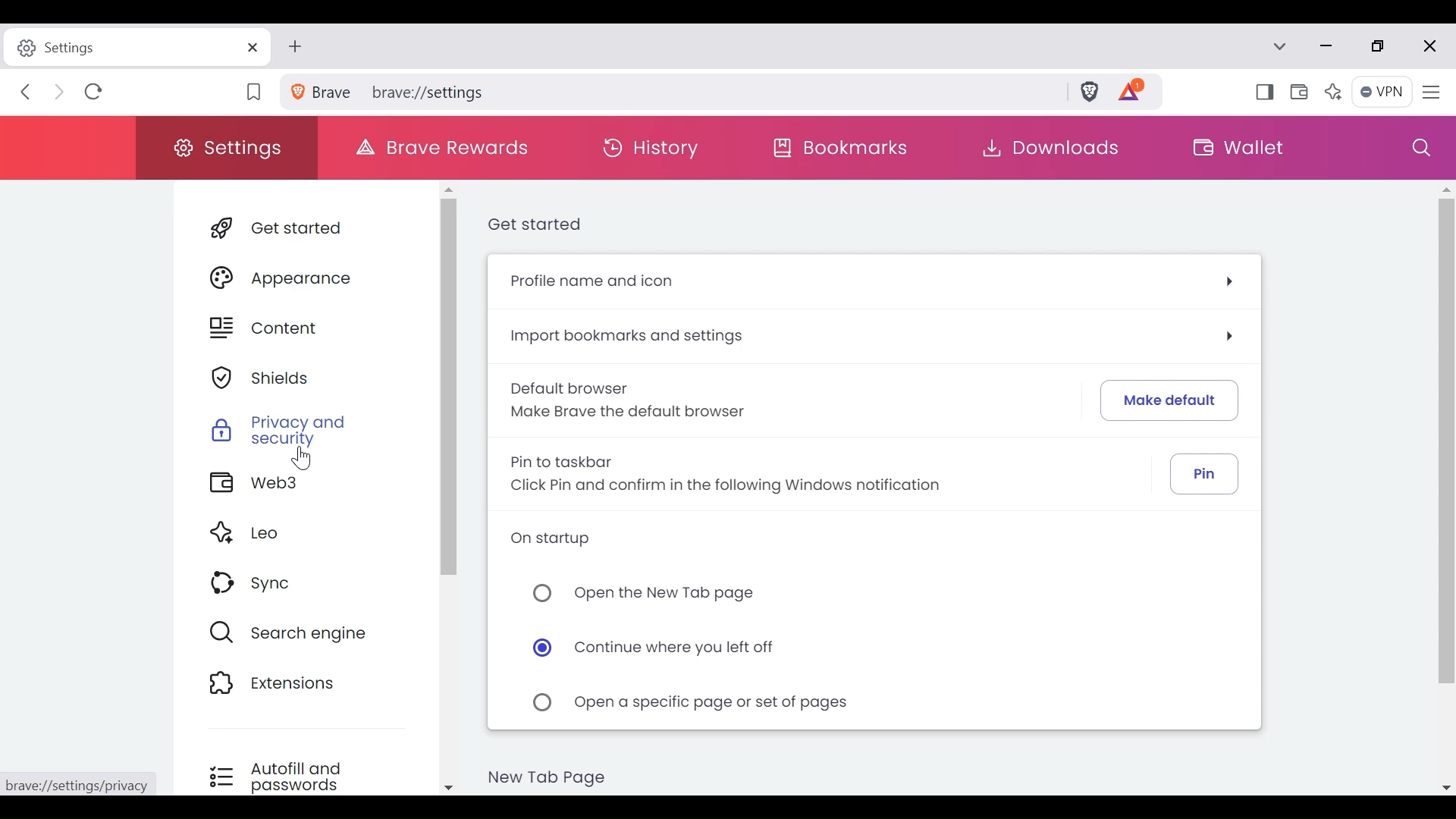 This screenshot has width=1456, height=819. I want to click on Leo AI, so click(1335, 92).